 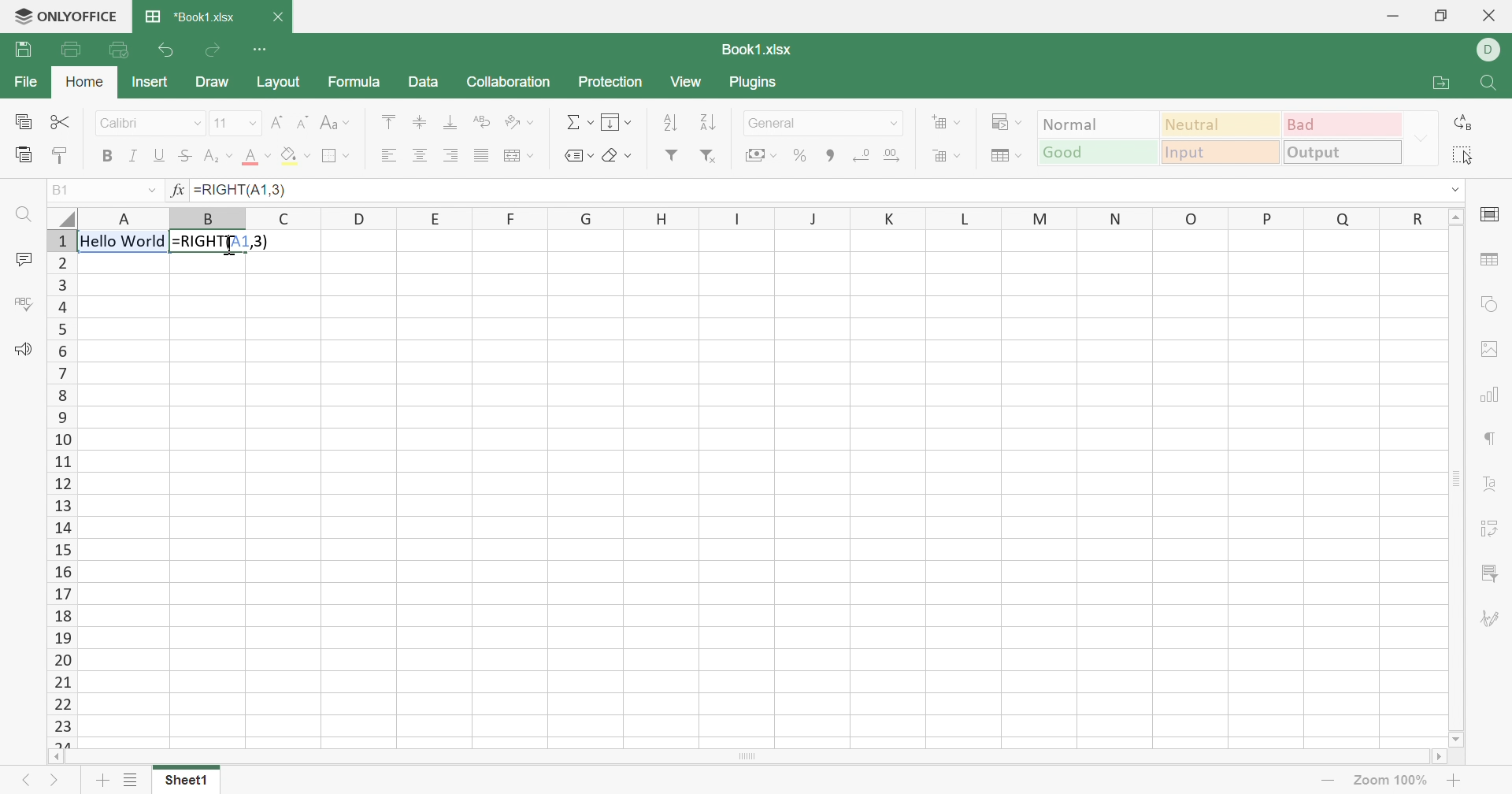 I want to click on Protection, so click(x=608, y=81).